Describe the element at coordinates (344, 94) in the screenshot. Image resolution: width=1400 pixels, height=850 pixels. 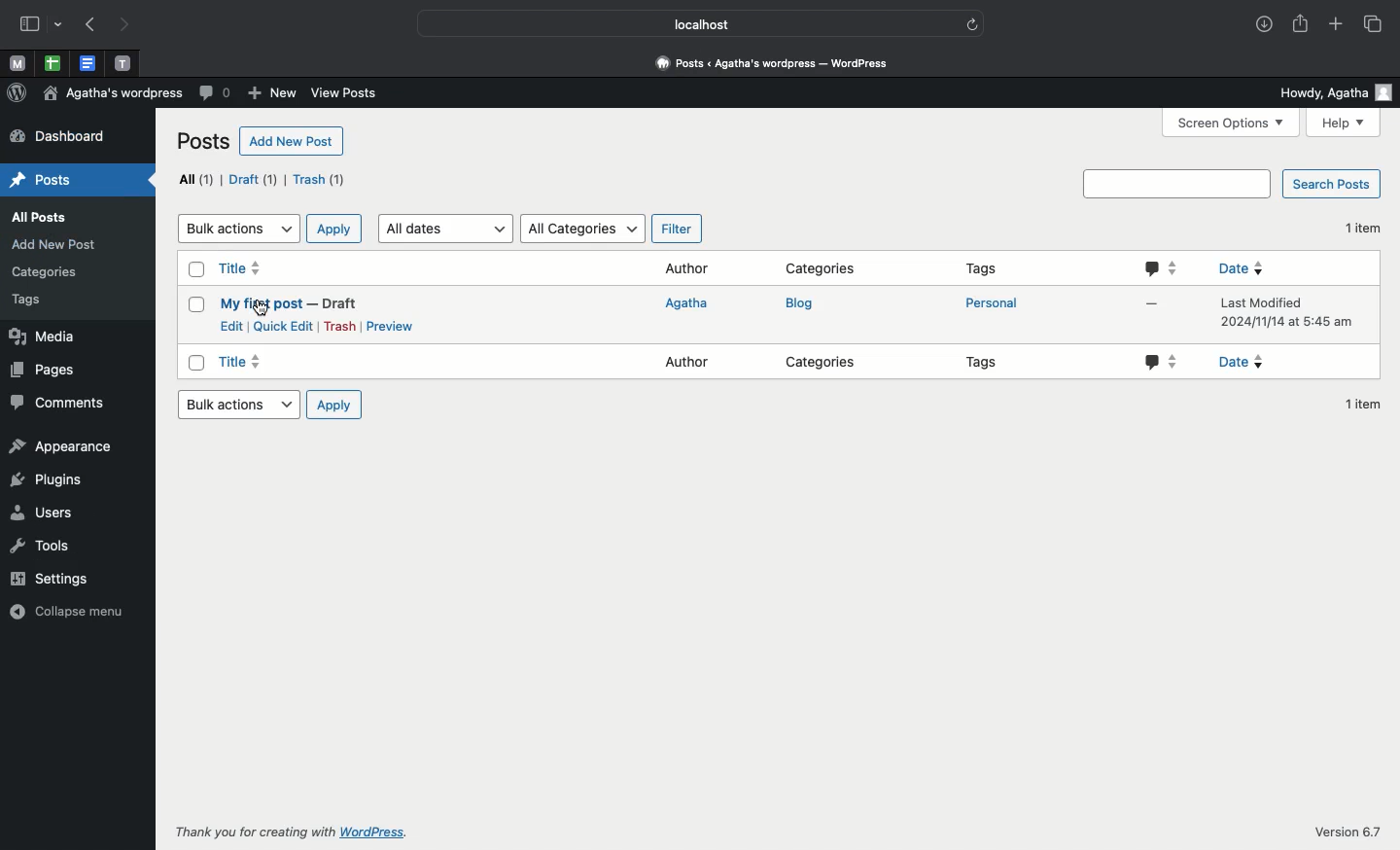
I see `View posts` at that location.